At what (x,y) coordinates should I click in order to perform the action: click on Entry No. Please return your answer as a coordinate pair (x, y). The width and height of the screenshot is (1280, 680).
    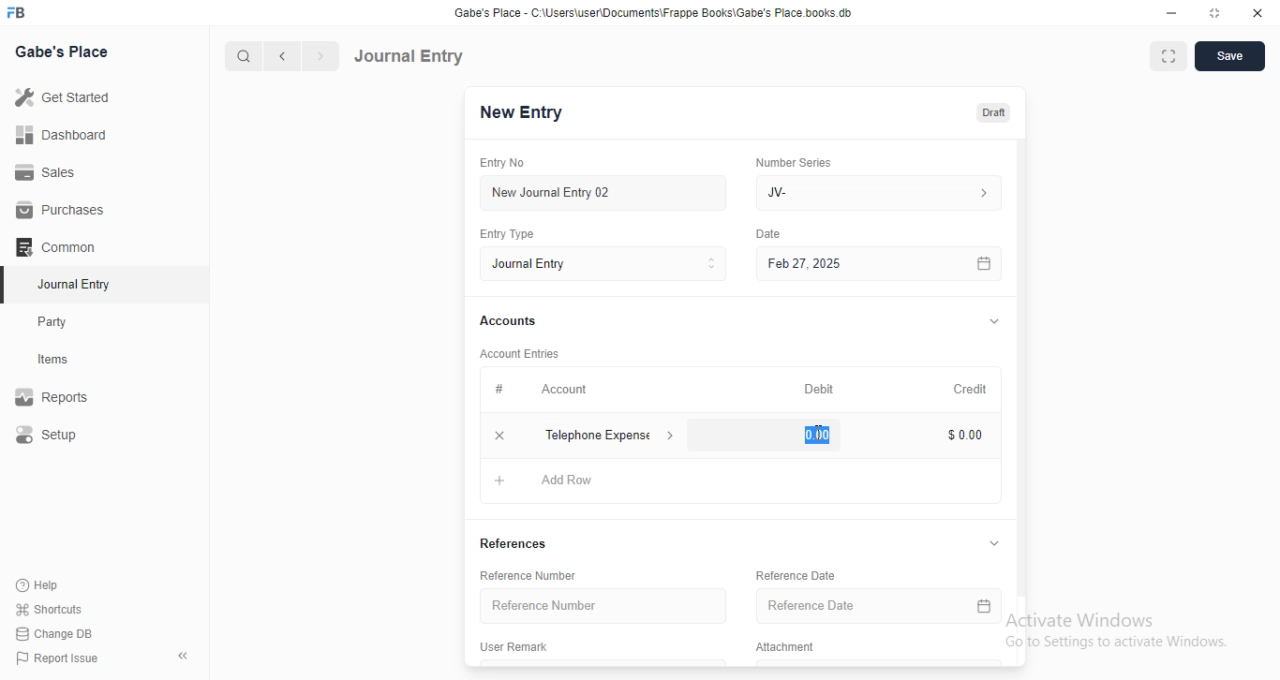
    Looking at the image, I should click on (500, 161).